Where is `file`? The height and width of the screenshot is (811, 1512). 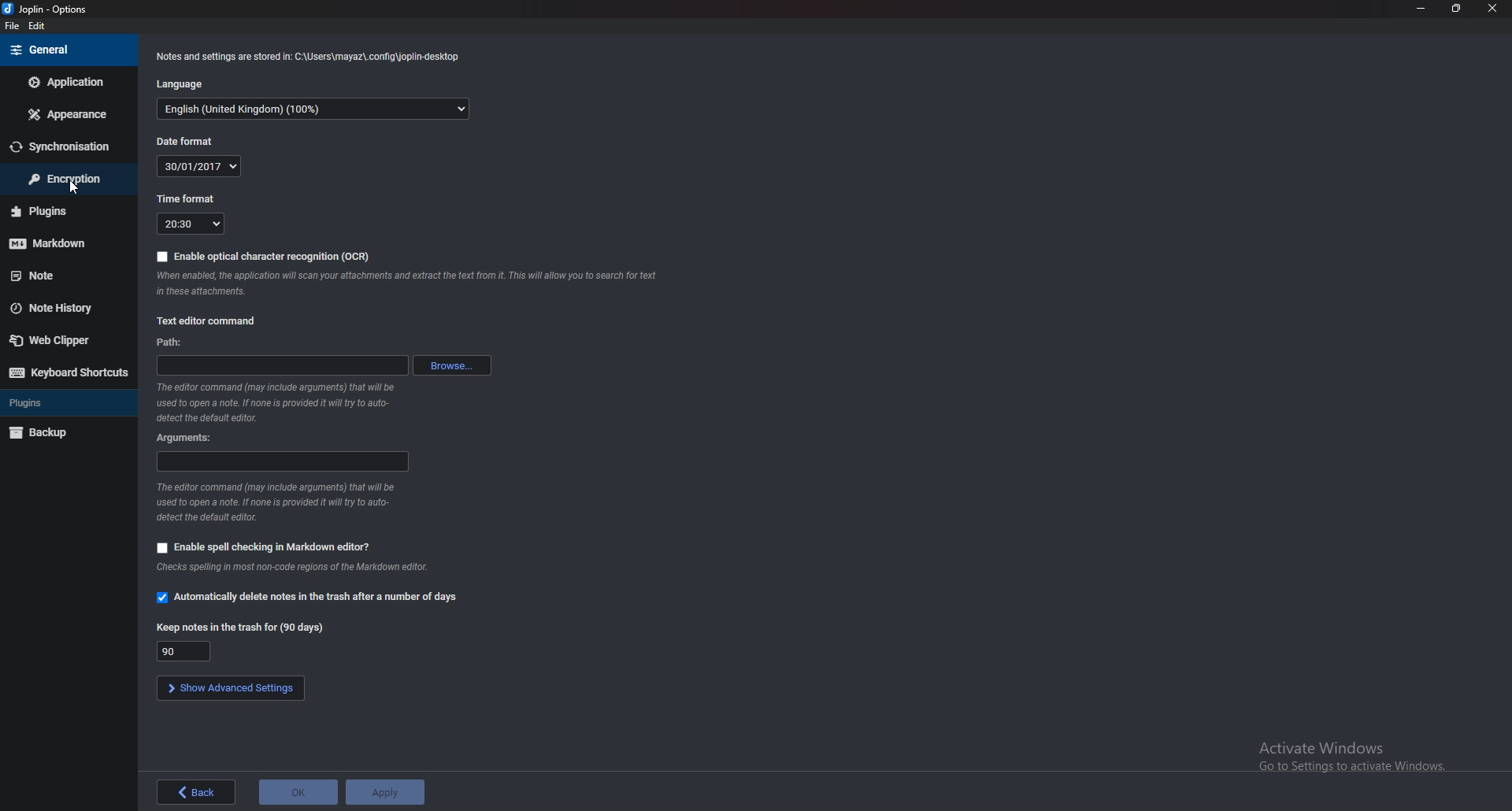 file is located at coordinates (13, 26).